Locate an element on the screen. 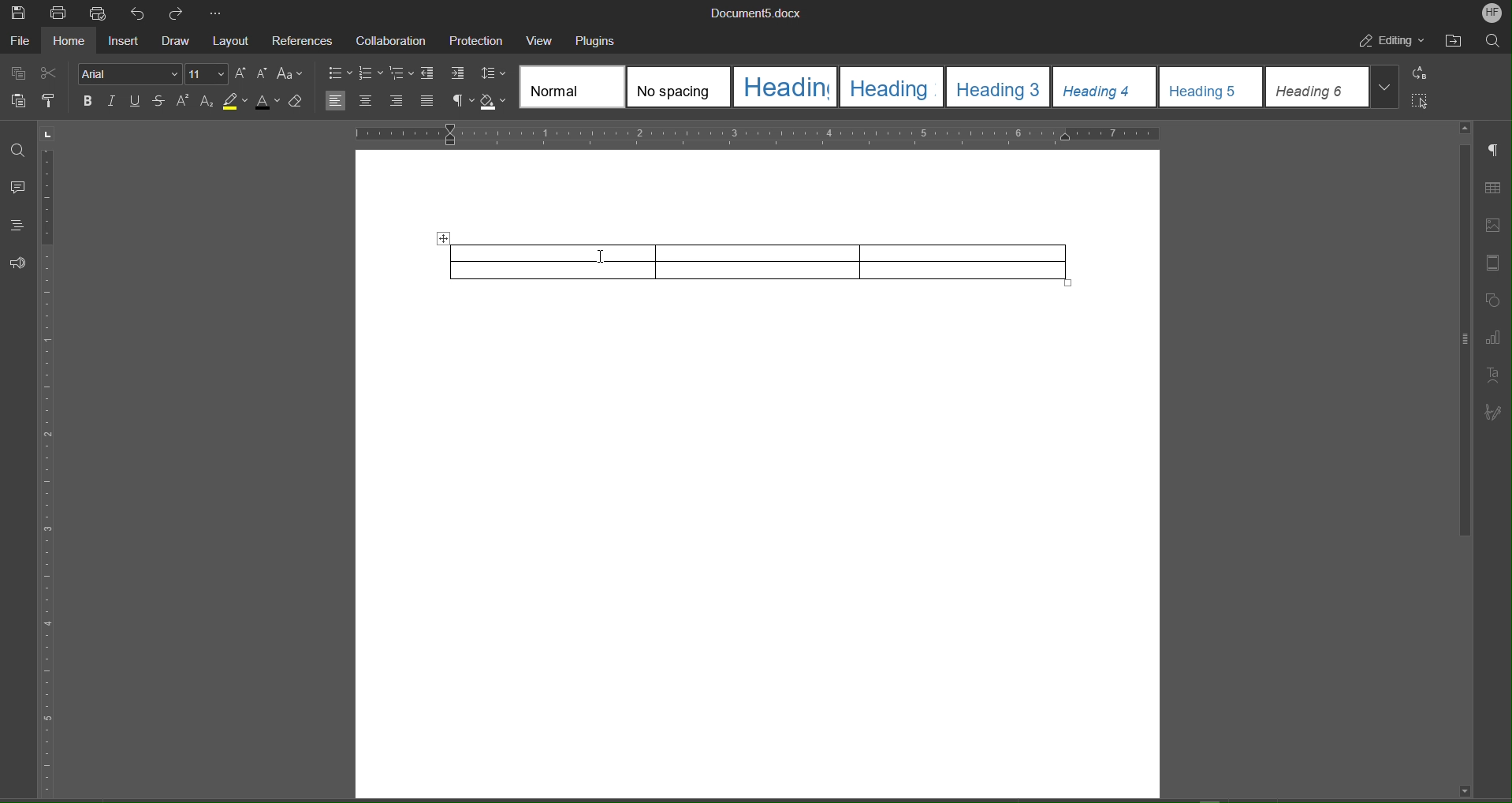 The height and width of the screenshot is (803, 1512). Save is located at coordinates (17, 13).